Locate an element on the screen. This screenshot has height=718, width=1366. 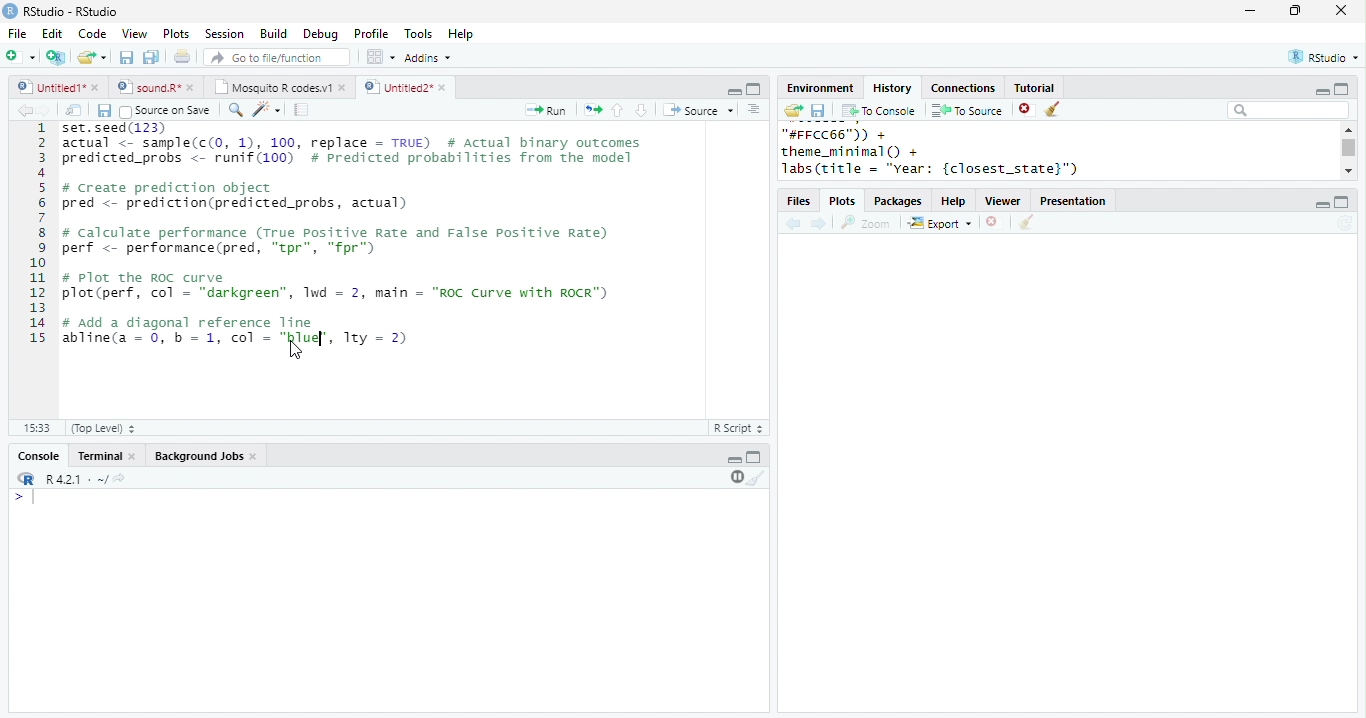
Plots is located at coordinates (177, 33).